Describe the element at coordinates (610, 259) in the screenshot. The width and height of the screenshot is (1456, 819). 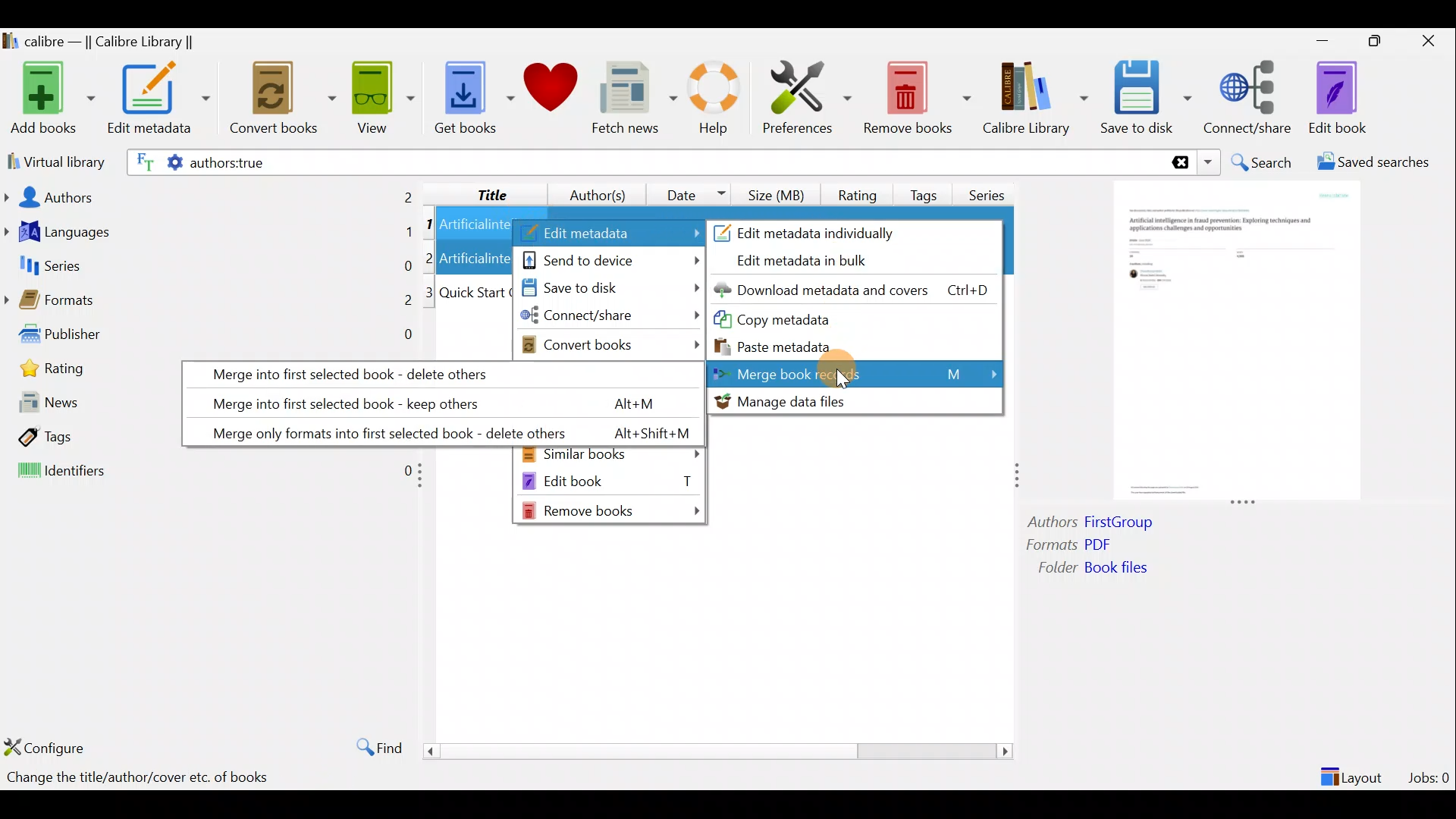
I see `Send to device` at that location.